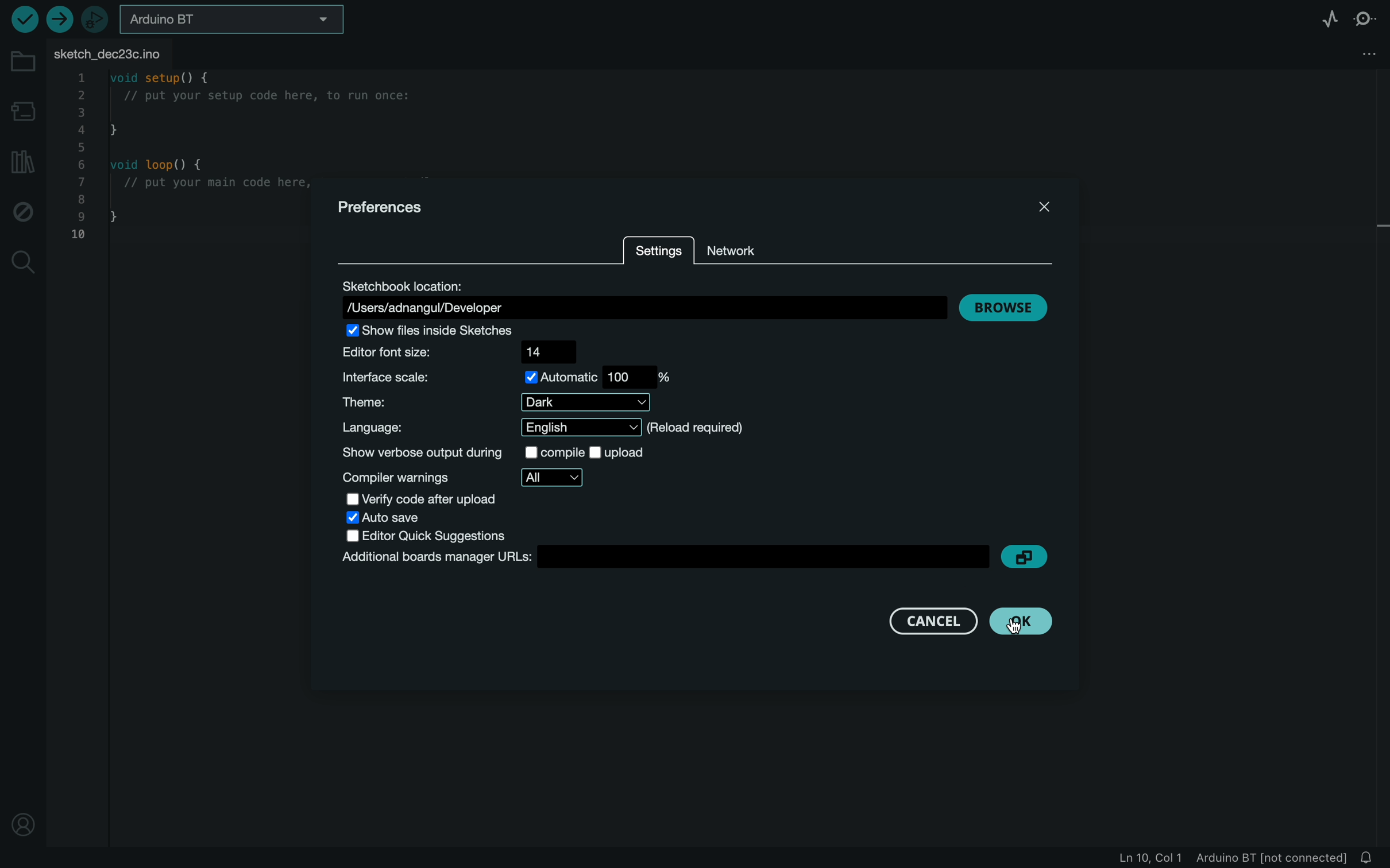 The height and width of the screenshot is (868, 1390). Describe the element at coordinates (660, 249) in the screenshot. I see `settings` at that location.